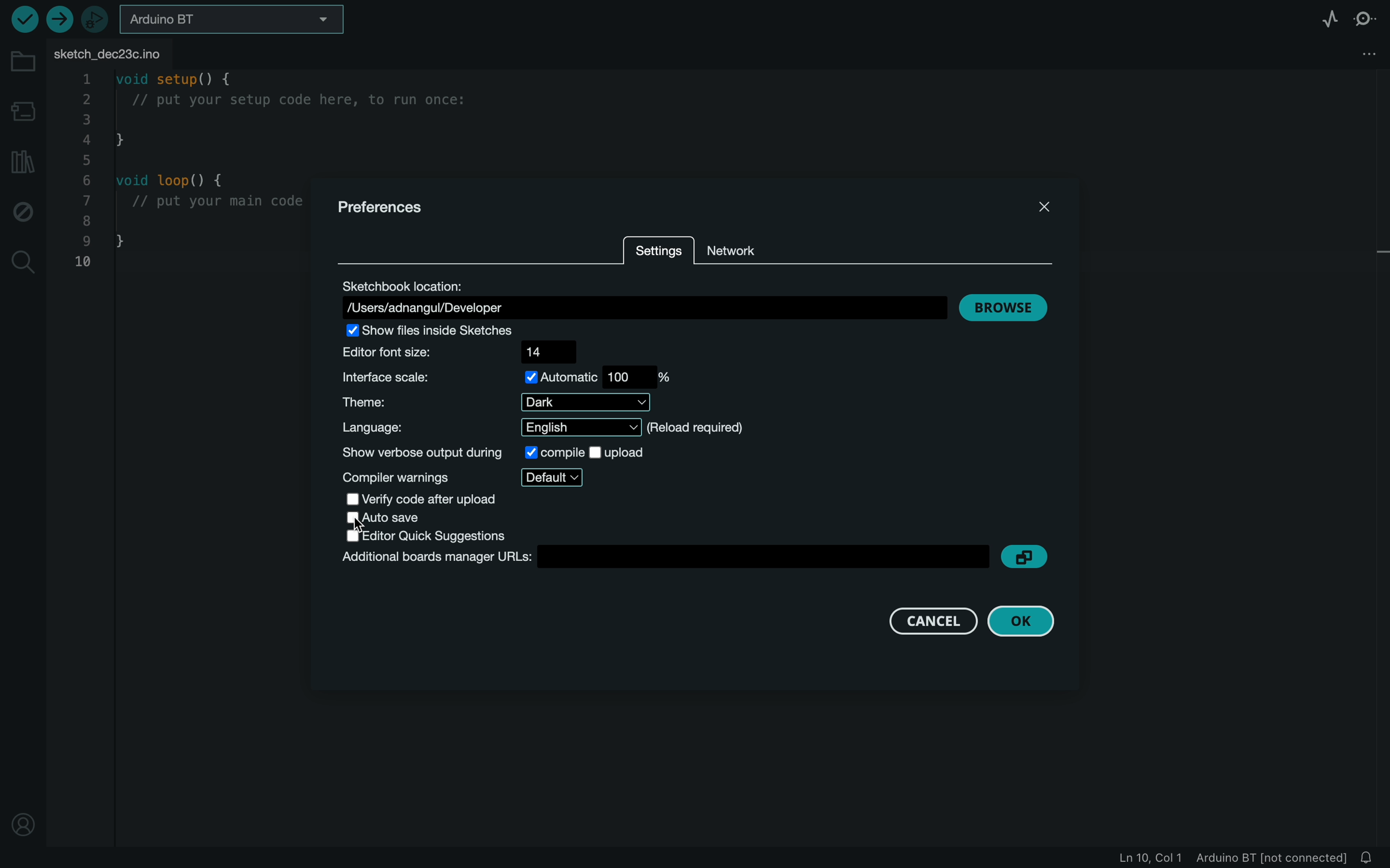 The image size is (1390, 868). What do you see at coordinates (1364, 53) in the screenshot?
I see `file settings` at bounding box center [1364, 53].